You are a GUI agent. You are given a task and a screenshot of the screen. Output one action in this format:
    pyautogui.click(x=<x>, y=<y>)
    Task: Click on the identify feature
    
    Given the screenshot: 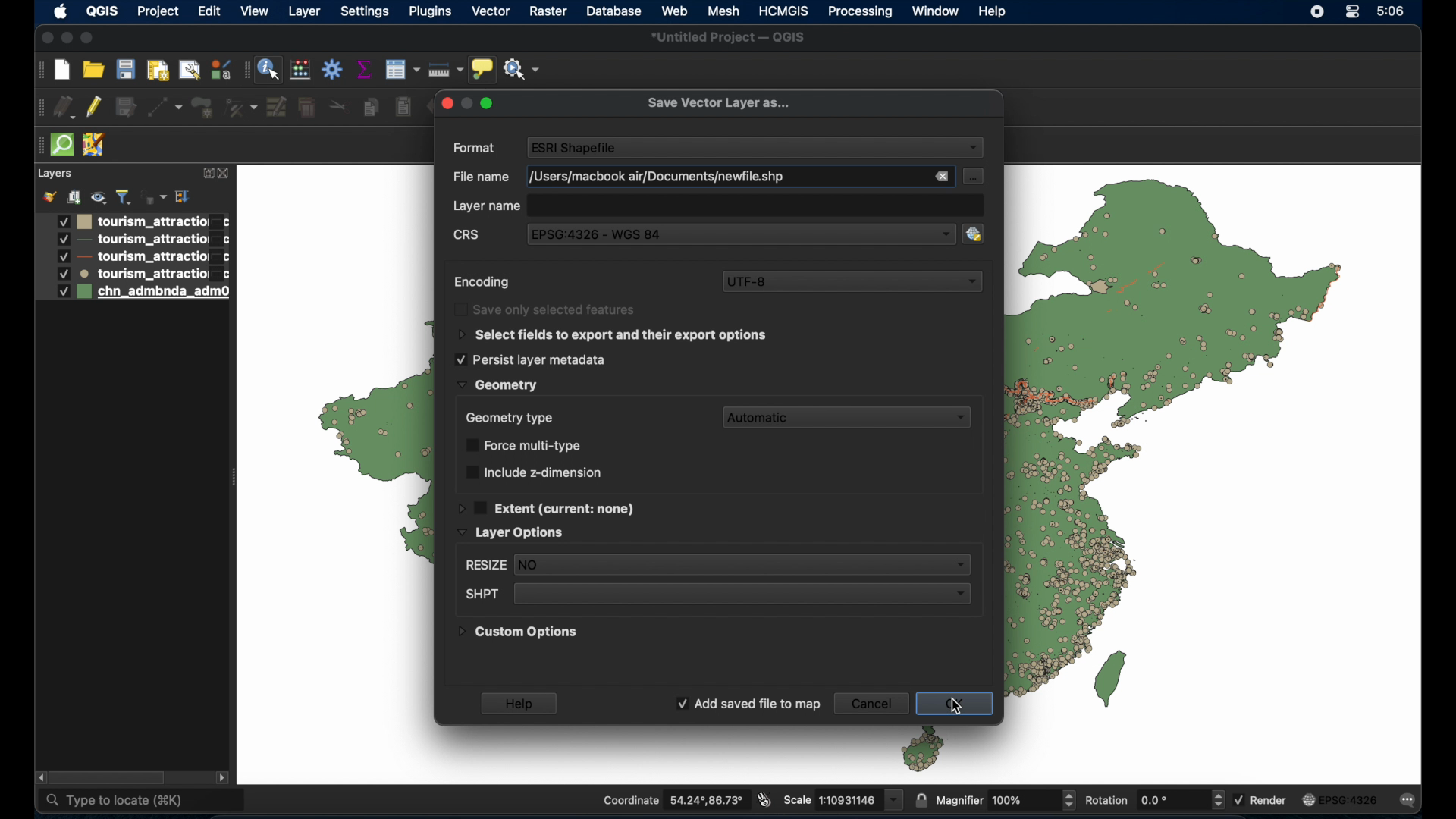 What is the action you would take?
    pyautogui.click(x=268, y=69)
    